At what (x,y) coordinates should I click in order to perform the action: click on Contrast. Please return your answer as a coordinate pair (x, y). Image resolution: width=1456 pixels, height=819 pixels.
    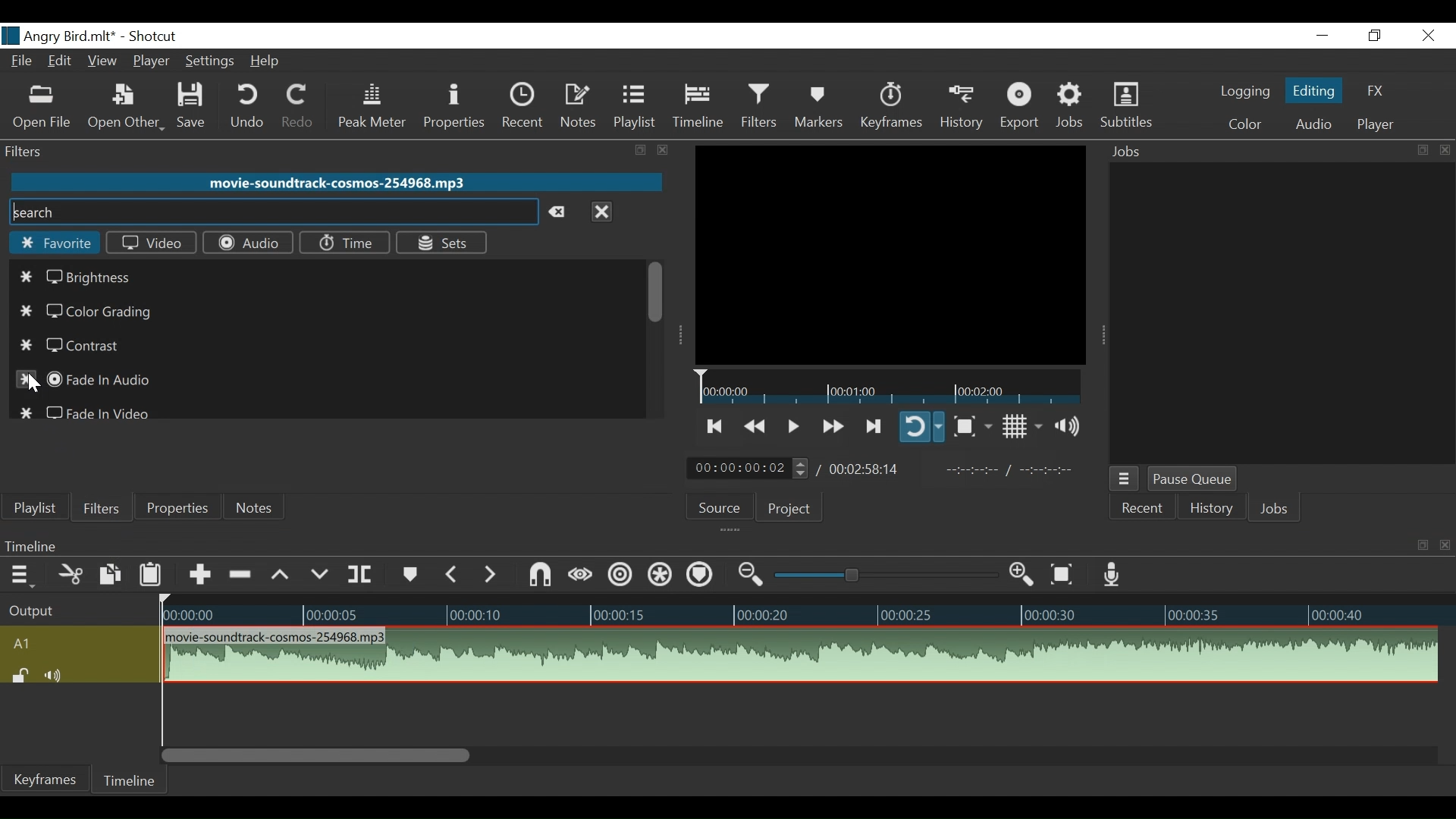
    Looking at the image, I should click on (80, 347).